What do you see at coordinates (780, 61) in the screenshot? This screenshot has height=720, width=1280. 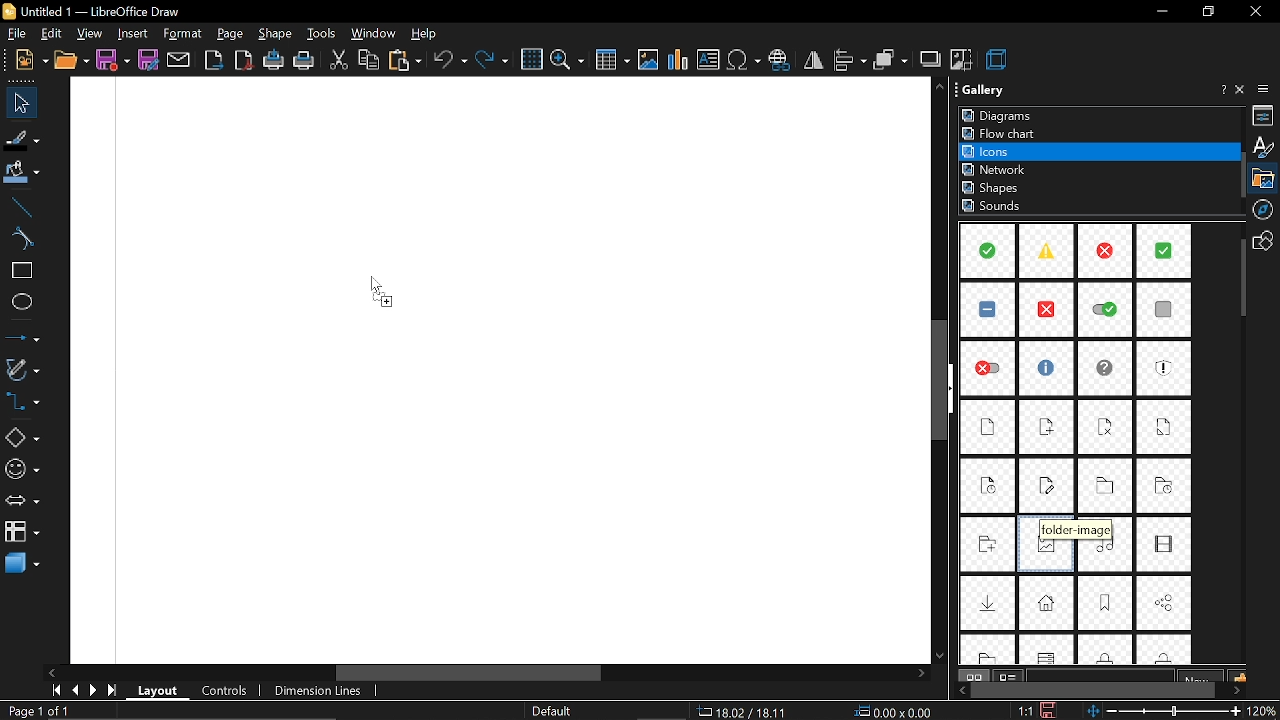 I see `insert hyperlink` at bounding box center [780, 61].